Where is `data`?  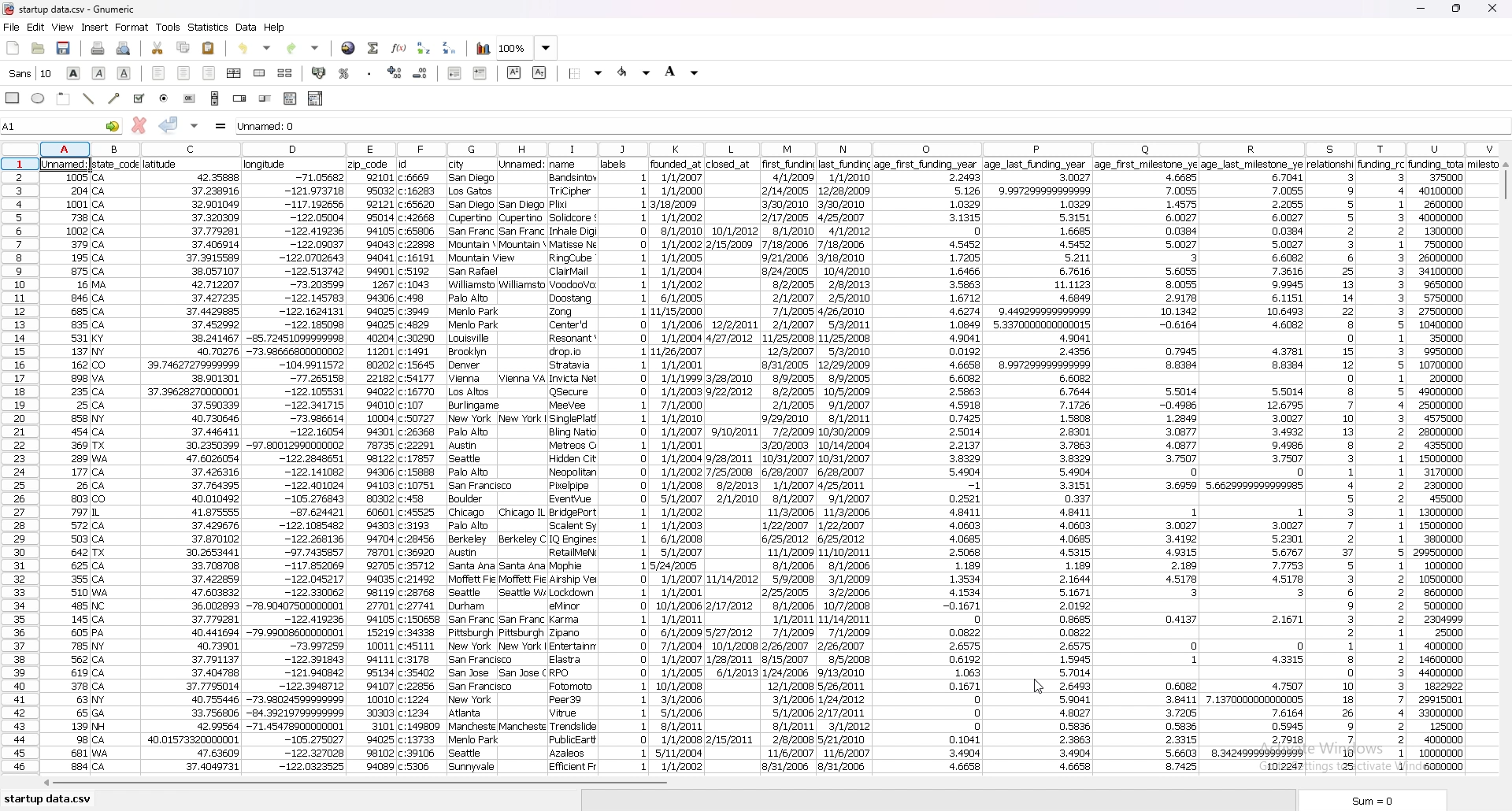 data is located at coordinates (1332, 468).